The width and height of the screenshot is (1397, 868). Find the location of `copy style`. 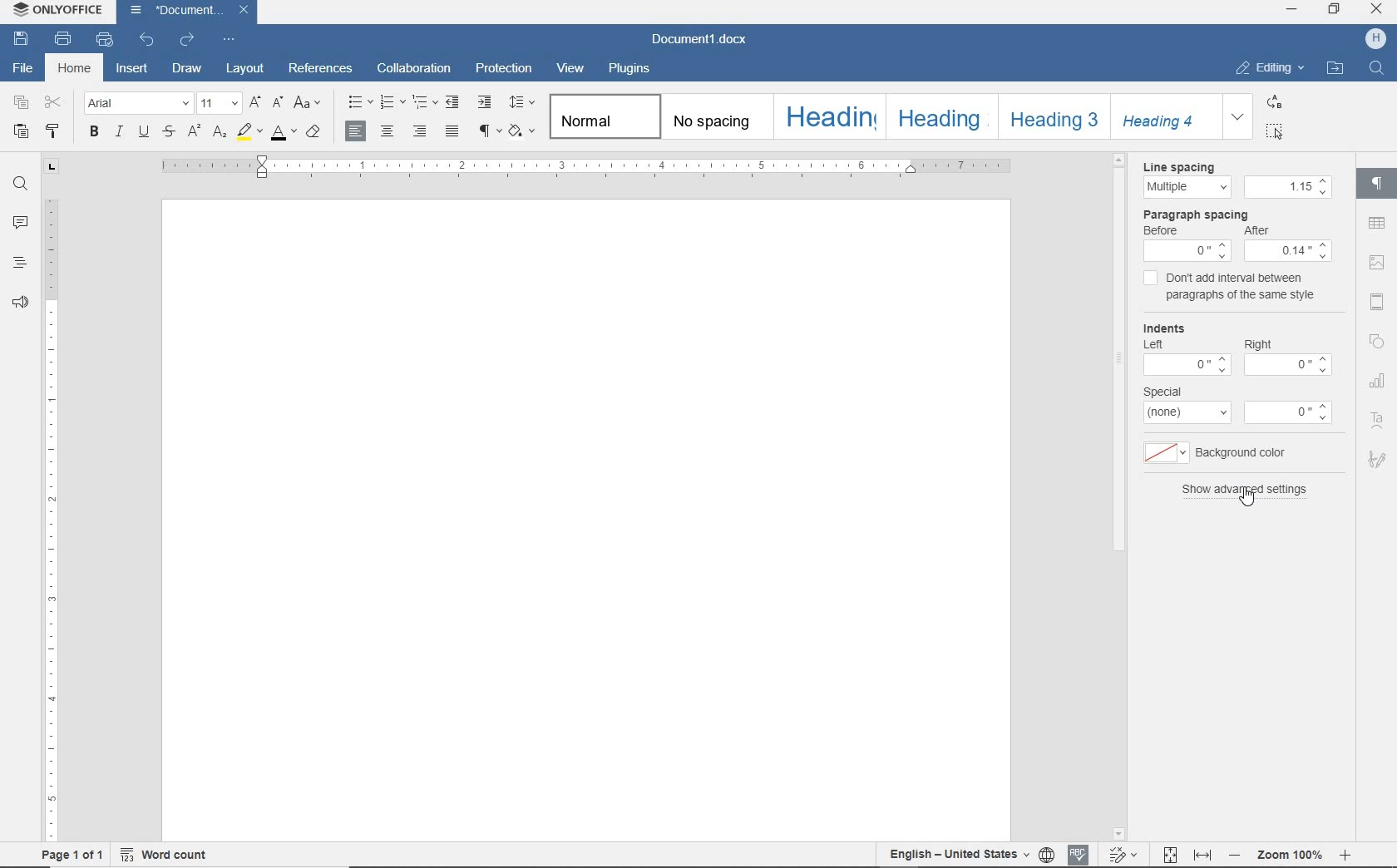

copy style is located at coordinates (53, 132).